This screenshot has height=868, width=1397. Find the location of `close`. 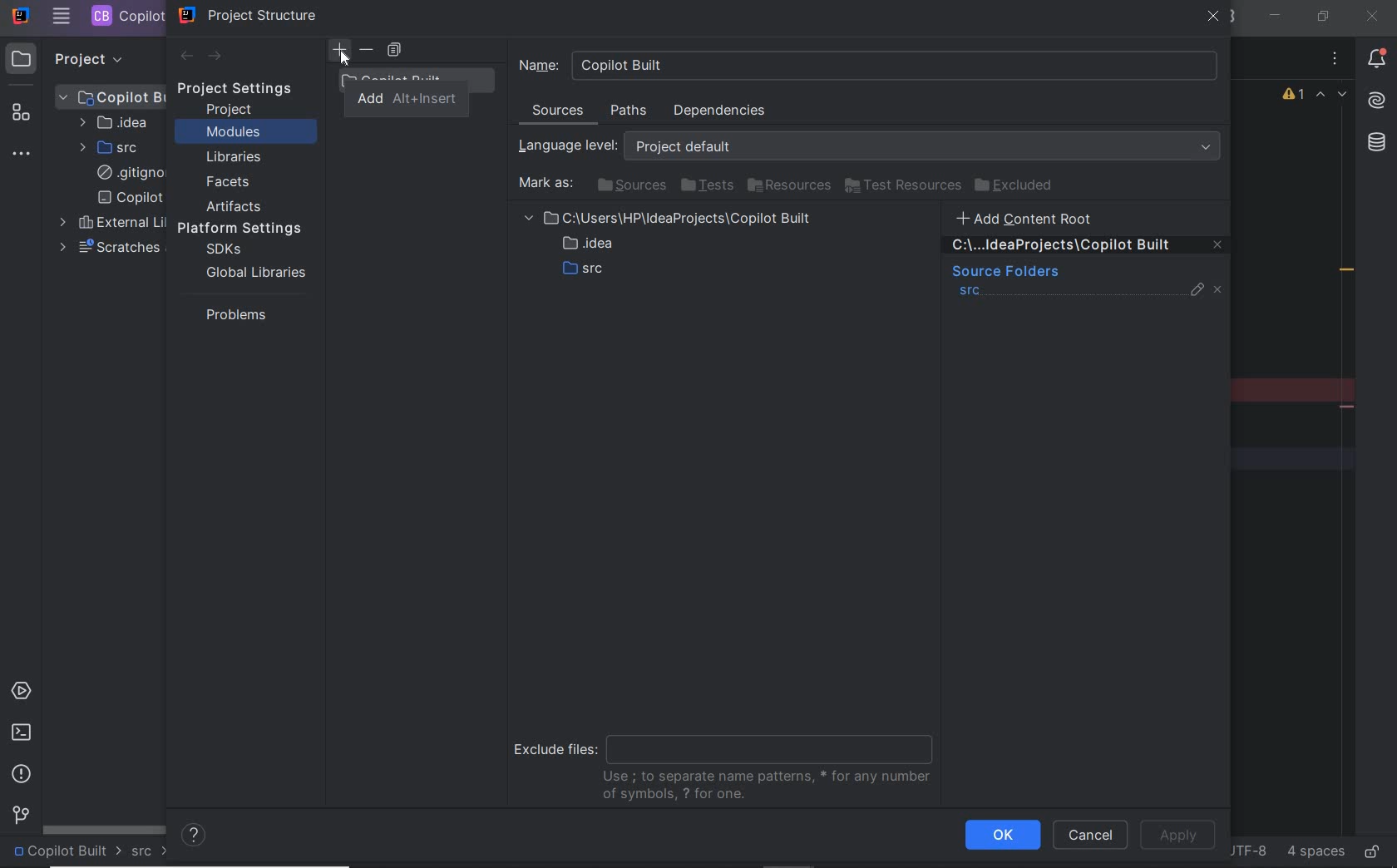

close is located at coordinates (1371, 16).